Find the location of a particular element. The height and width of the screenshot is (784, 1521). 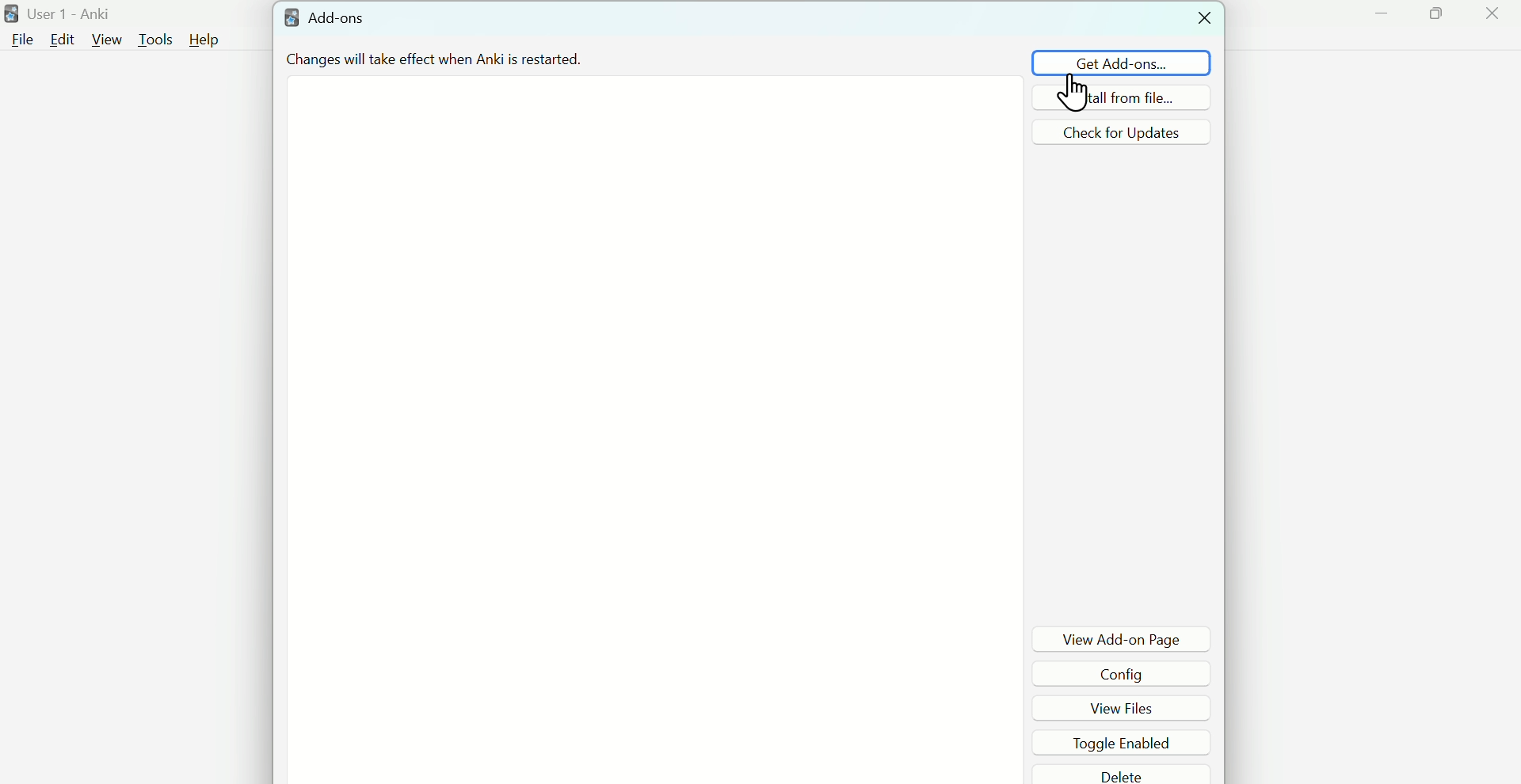

View is located at coordinates (107, 40).